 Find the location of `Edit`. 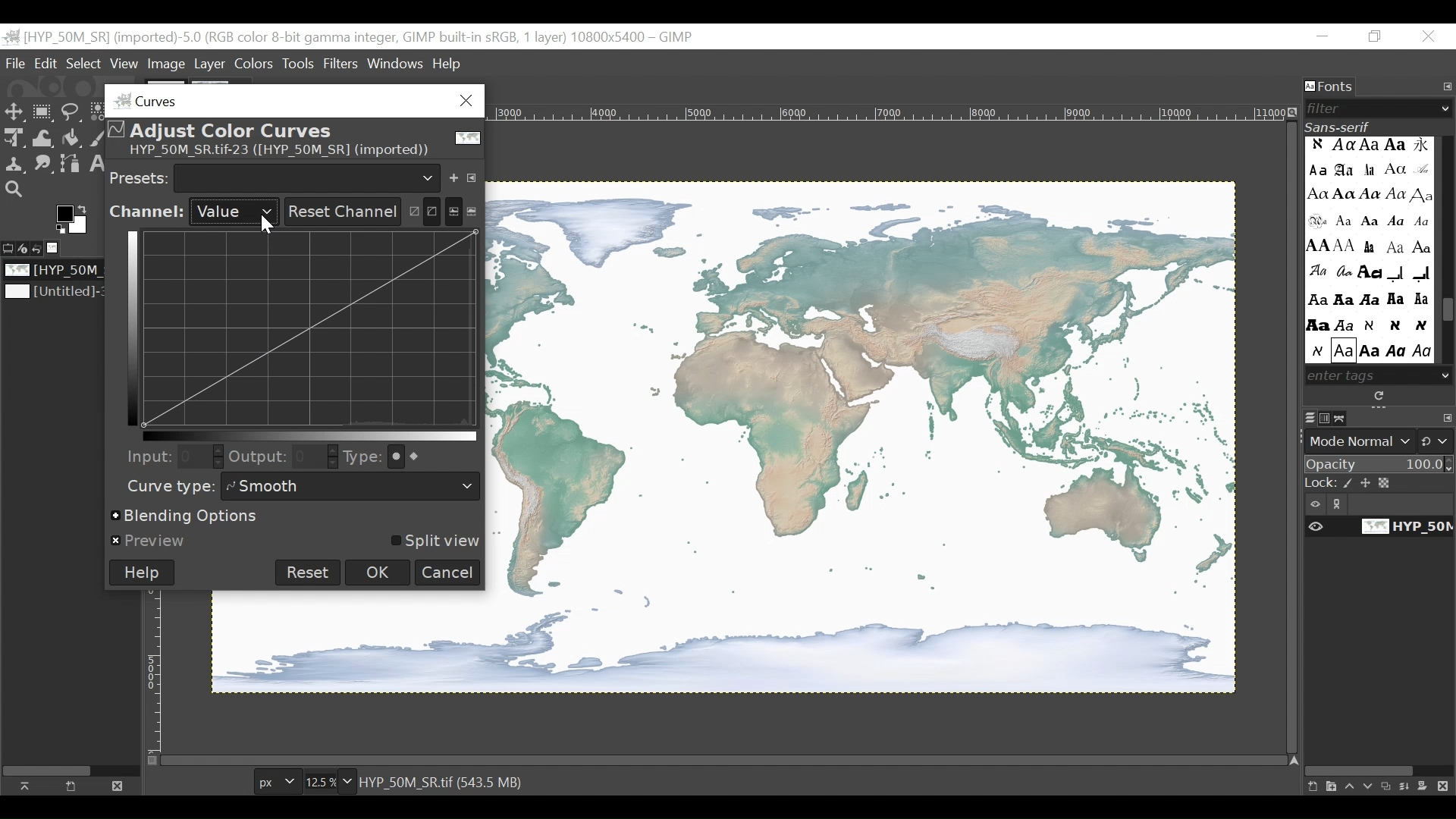

Edit is located at coordinates (47, 64).